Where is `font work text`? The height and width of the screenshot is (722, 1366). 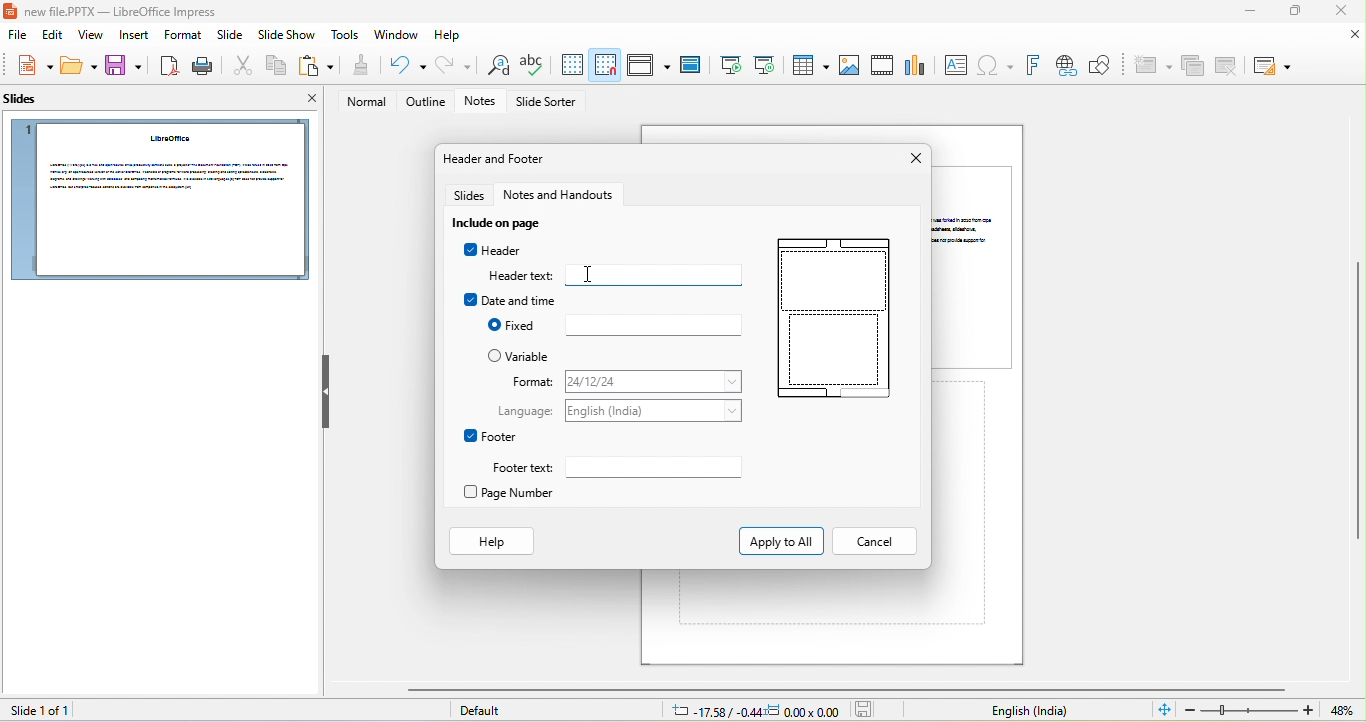
font work text is located at coordinates (1032, 66).